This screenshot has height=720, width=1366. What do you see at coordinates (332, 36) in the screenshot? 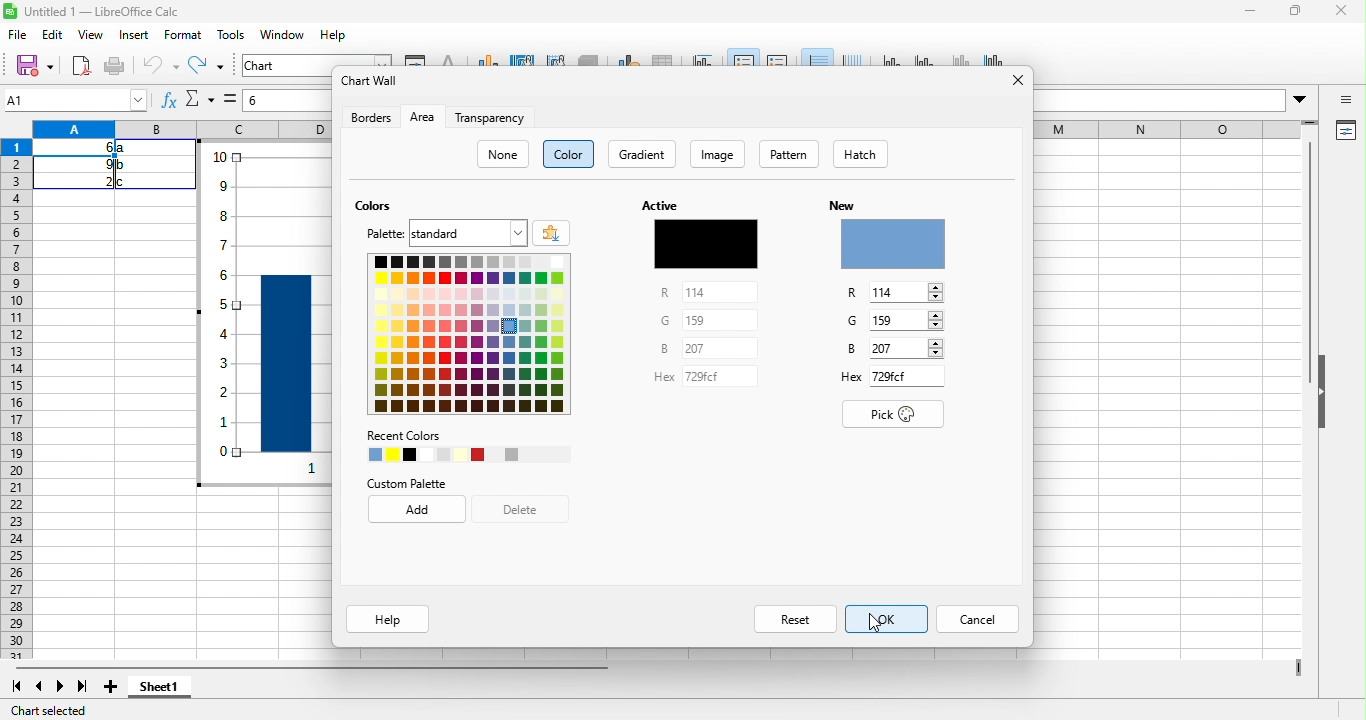
I see `help` at bounding box center [332, 36].